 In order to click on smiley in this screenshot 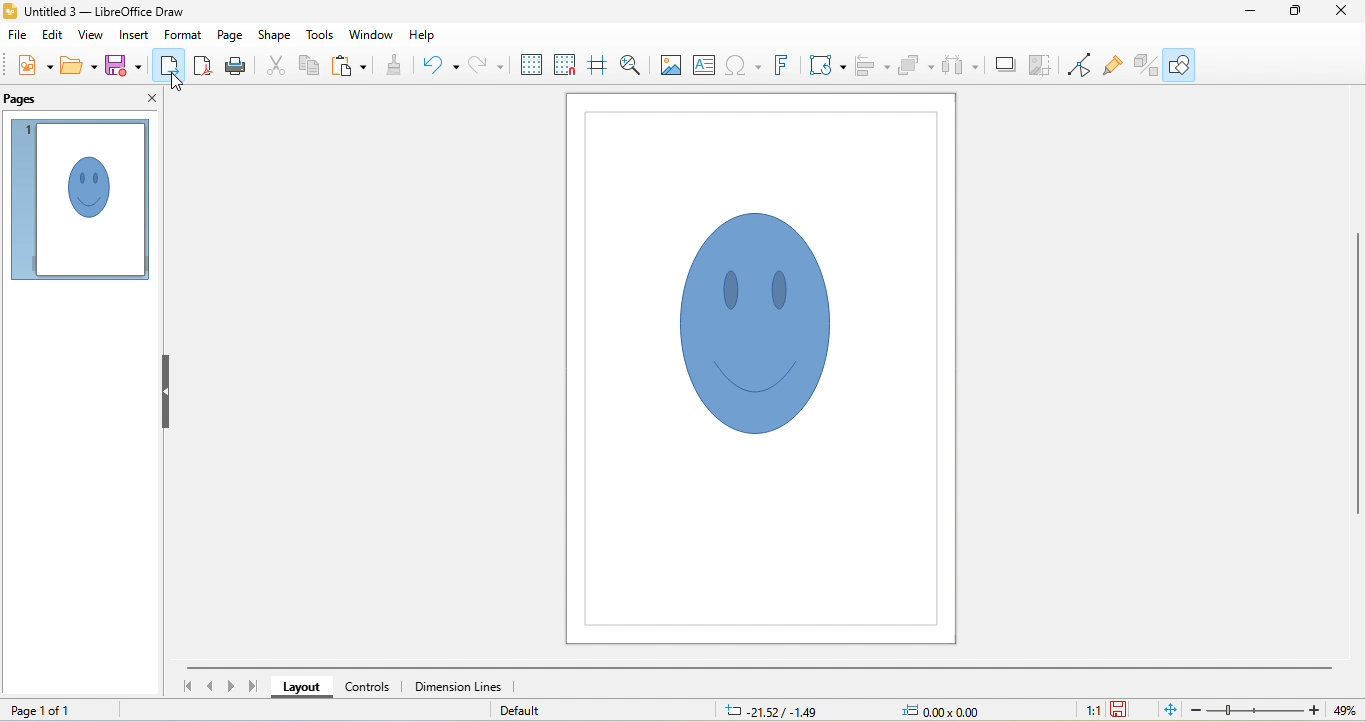, I will do `click(755, 318)`.